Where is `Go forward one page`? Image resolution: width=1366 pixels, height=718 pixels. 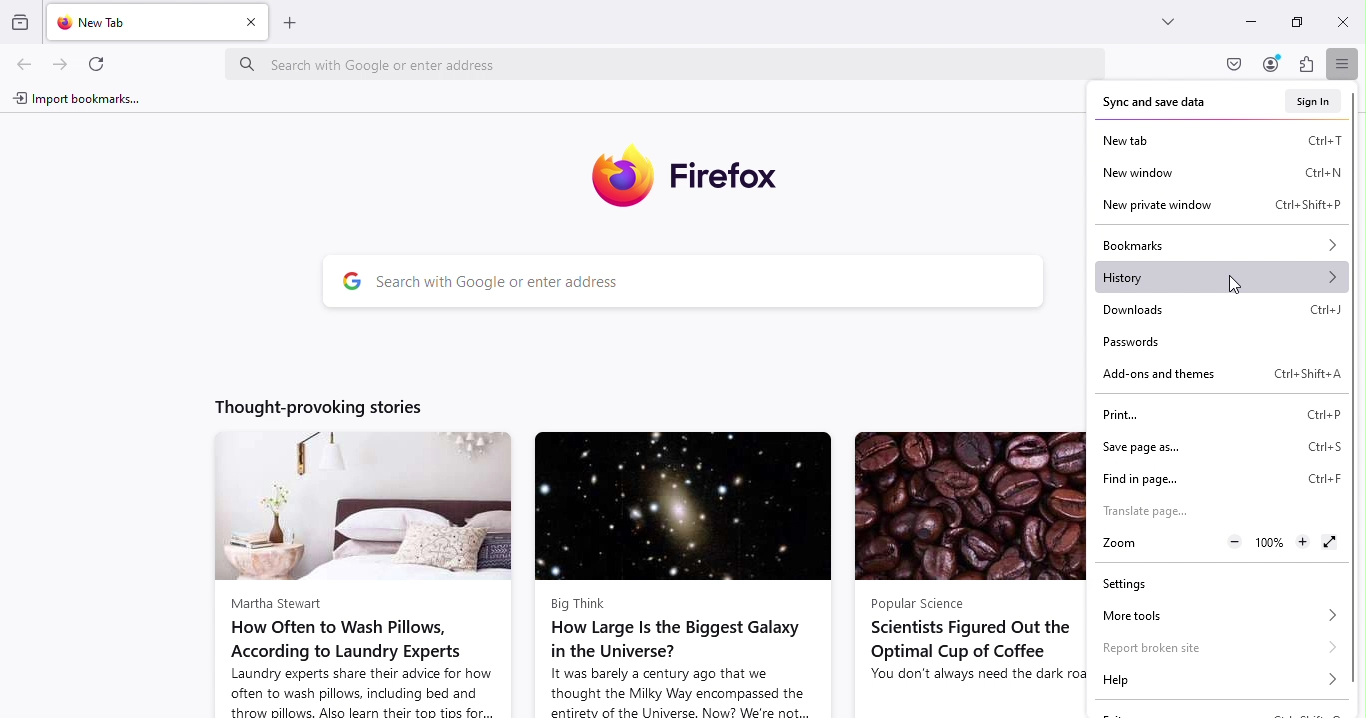
Go forward one page is located at coordinates (60, 63).